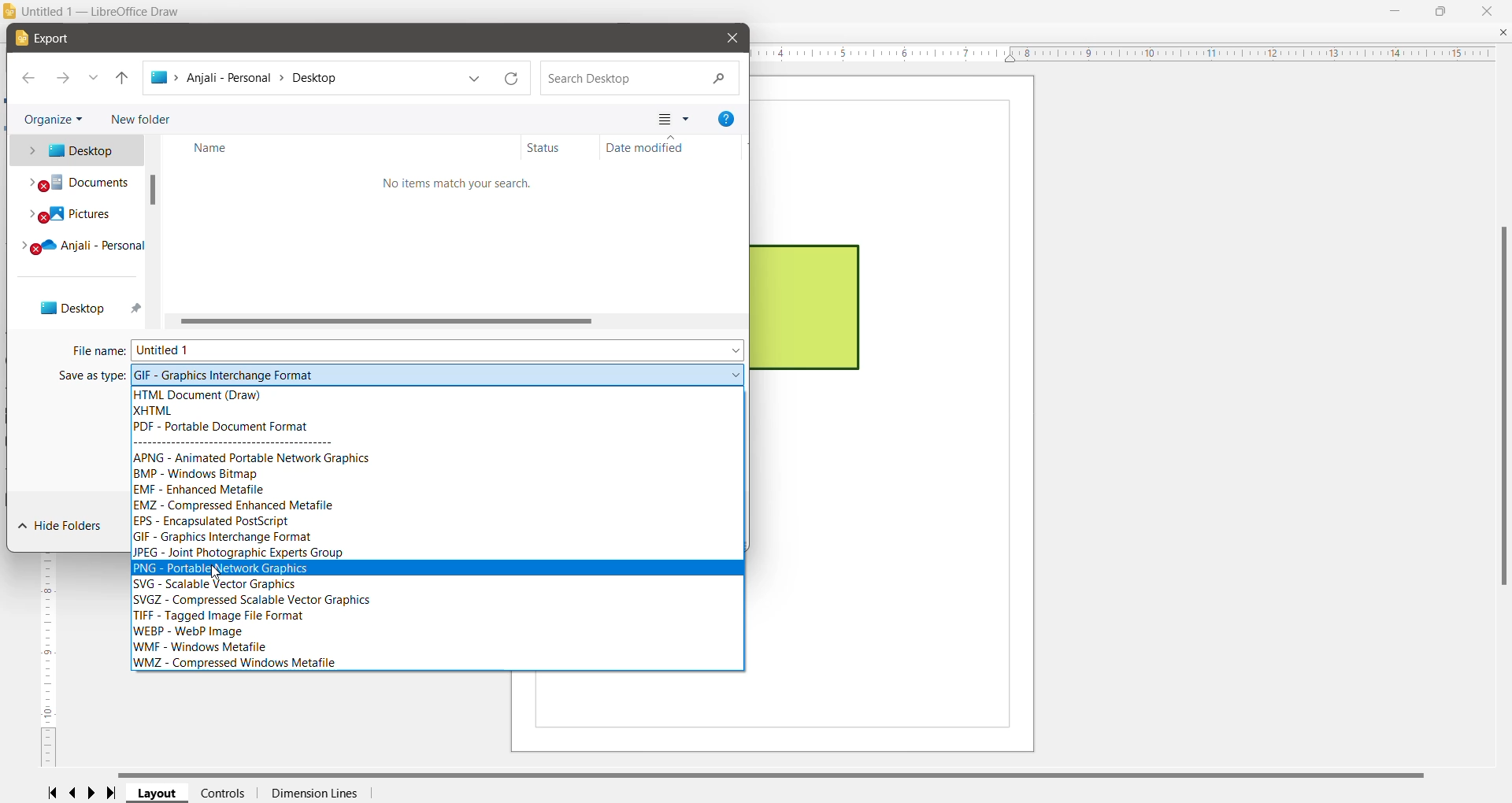 The image size is (1512, 803). Describe the element at coordinates (29, 79) in the screenshot. I see `Back` at that location.